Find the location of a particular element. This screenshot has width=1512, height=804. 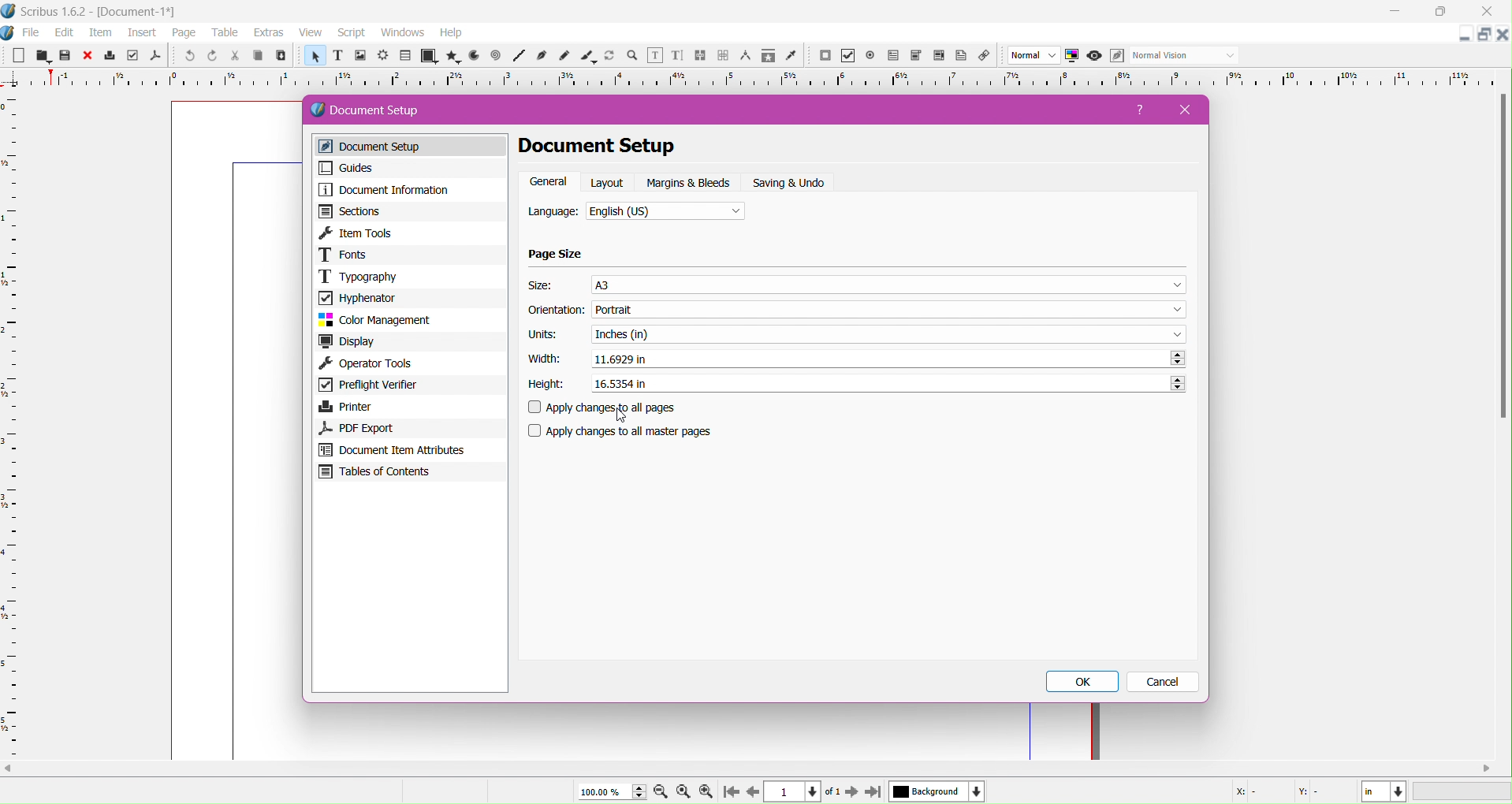

Set the Width is located at coordinates (888, 359).